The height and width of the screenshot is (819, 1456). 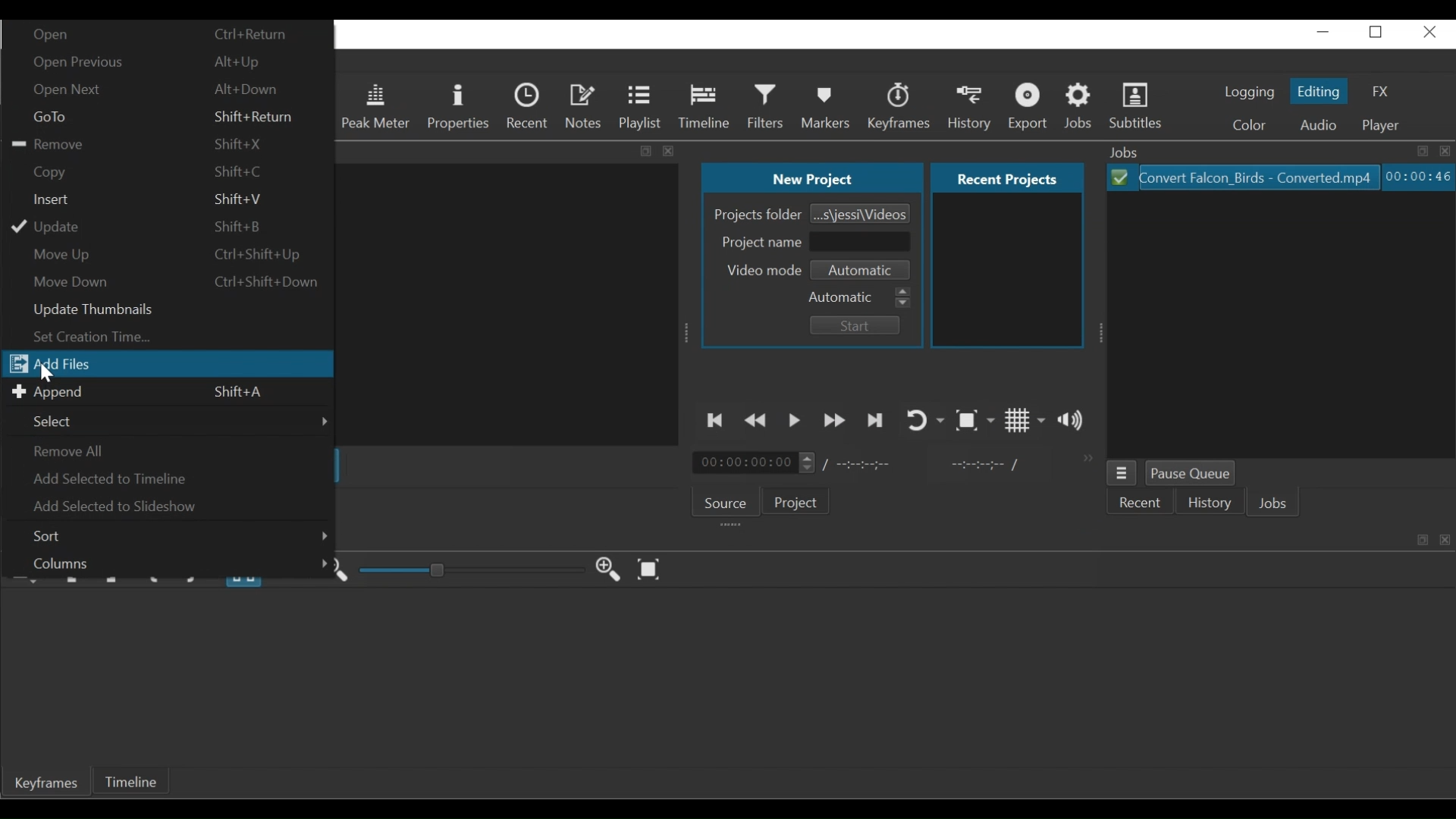 What do you see at coordinates (834, 420) in the screenshot?
I see `Play quickly forward` at bounding box center [834, 420].